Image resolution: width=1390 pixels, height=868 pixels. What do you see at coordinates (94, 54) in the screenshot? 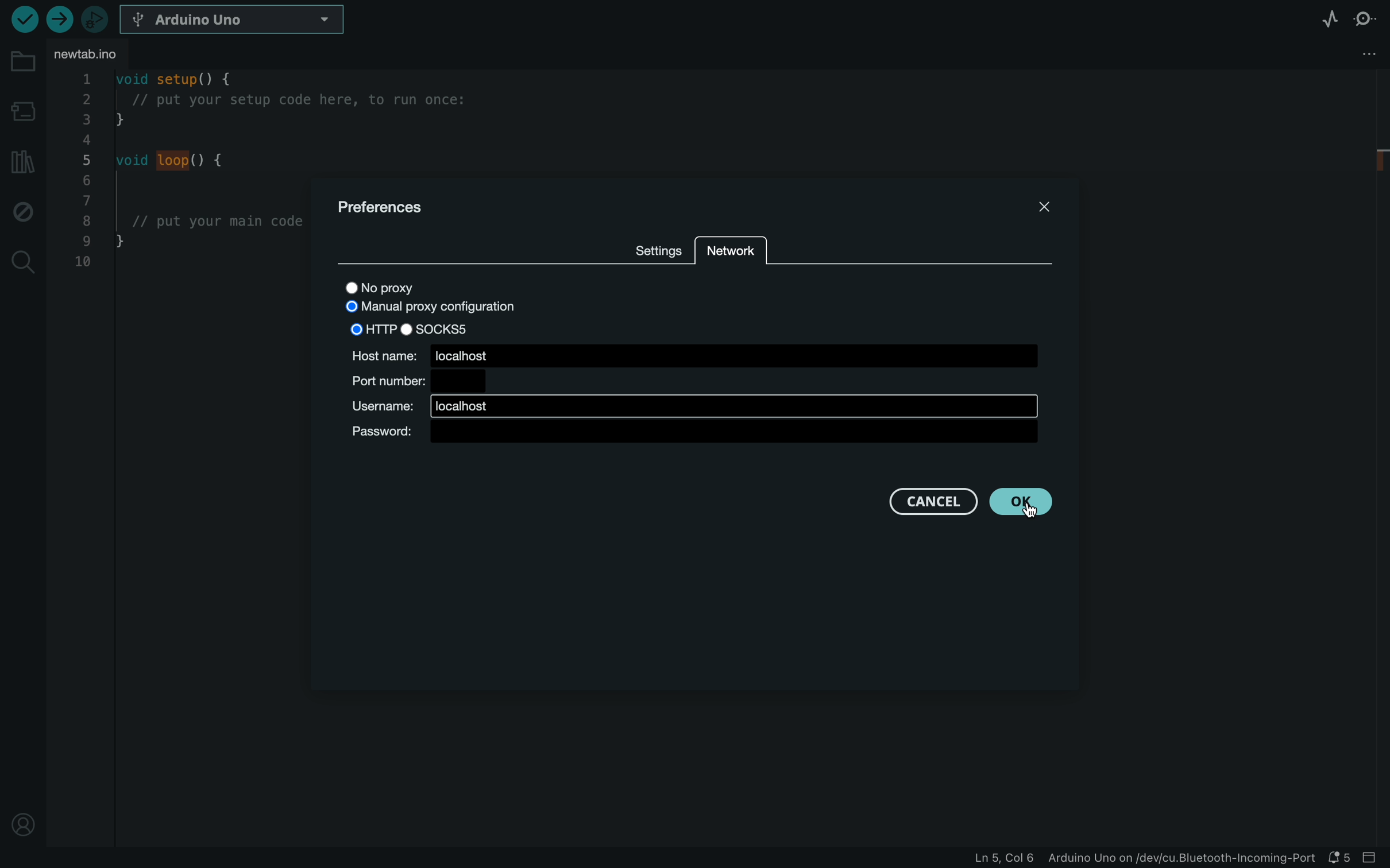
I see `file tab` at bounding box center [94, 54].